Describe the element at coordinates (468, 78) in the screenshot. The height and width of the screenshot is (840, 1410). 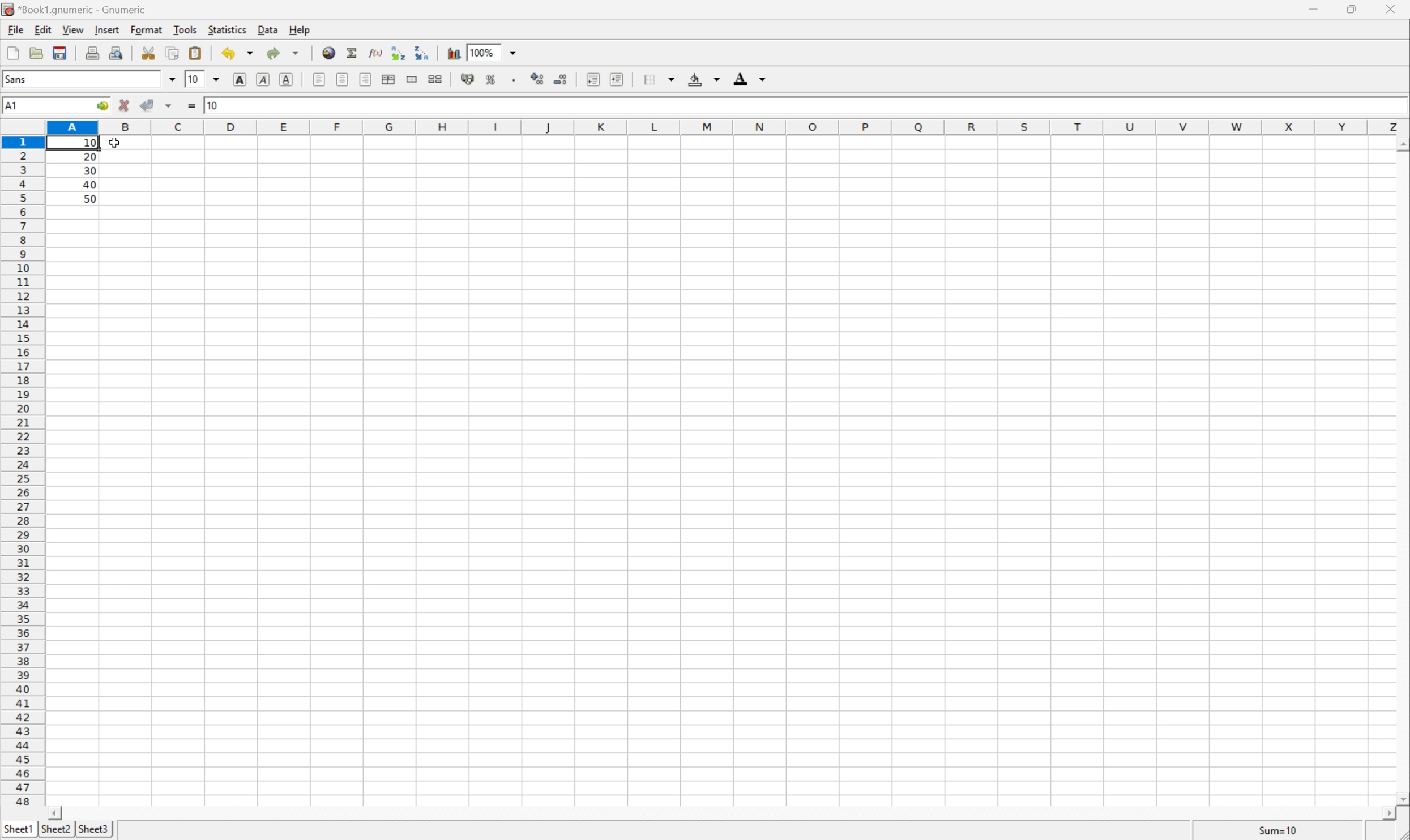
I see `Format selection as accounting` at that location.